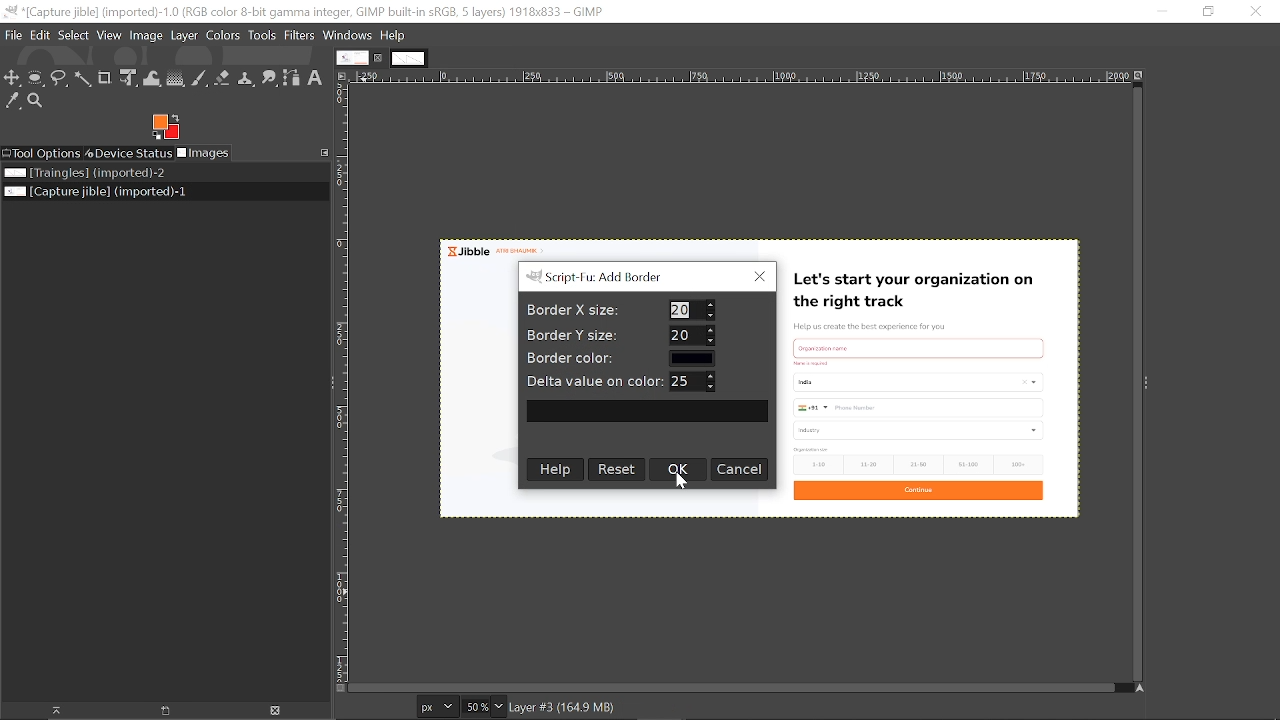  I want to click on Border Y size, so click(691, 335).